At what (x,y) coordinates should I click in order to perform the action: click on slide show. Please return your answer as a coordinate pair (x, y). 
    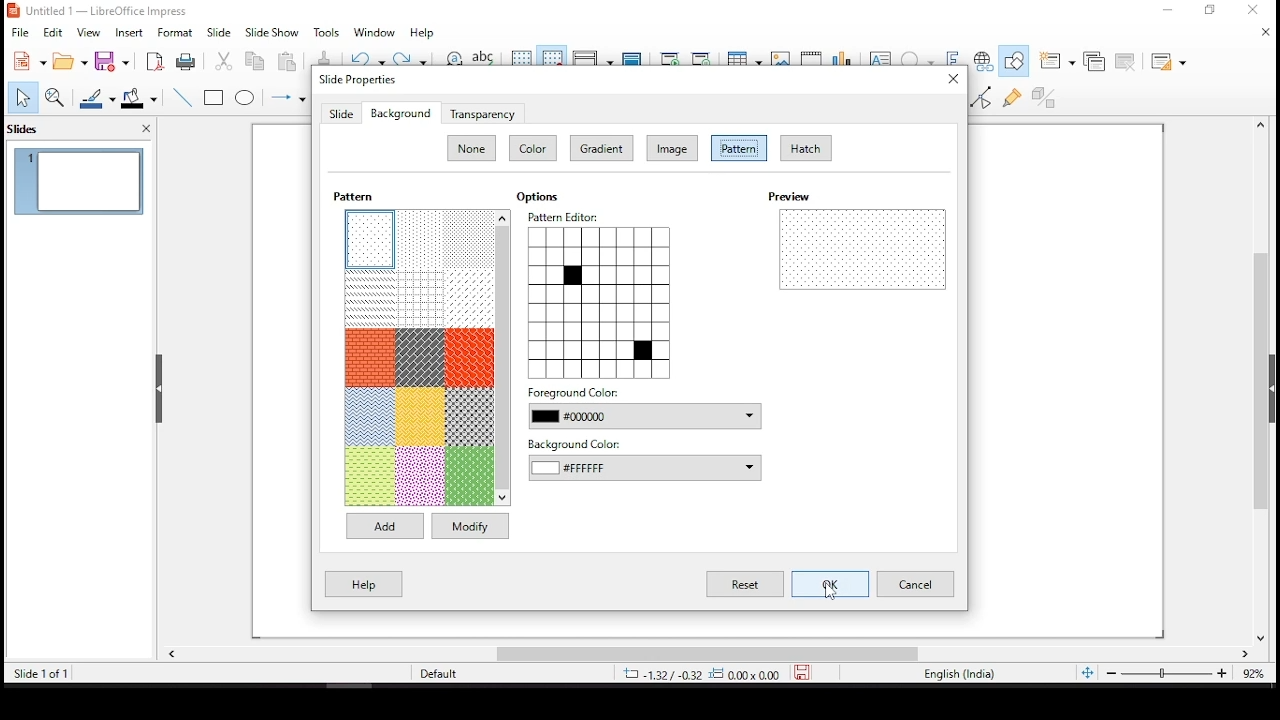
    Looking at the image, I should click on (272, 31).